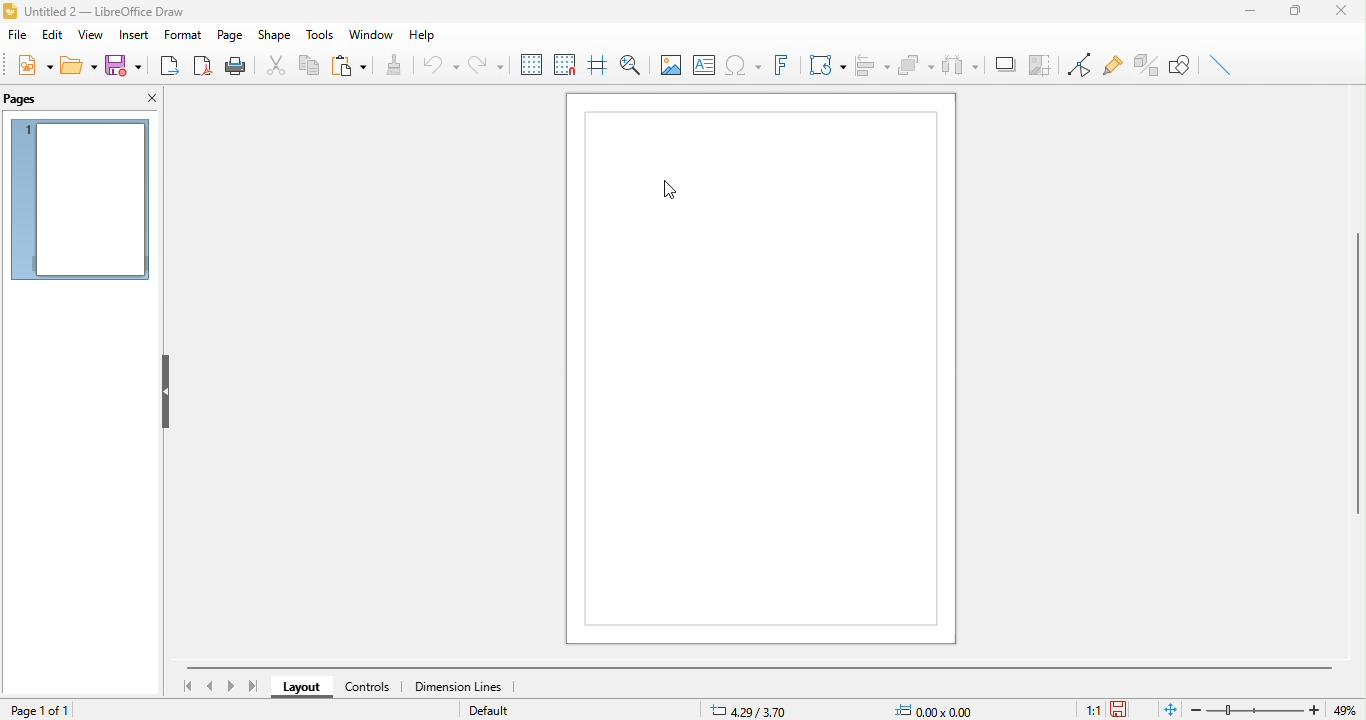 The image size is (1366, 720). What do you see at coordinates (1165, 709) in the screenshot?
I see `fit to the current window` at bounding box center [1165, 709].